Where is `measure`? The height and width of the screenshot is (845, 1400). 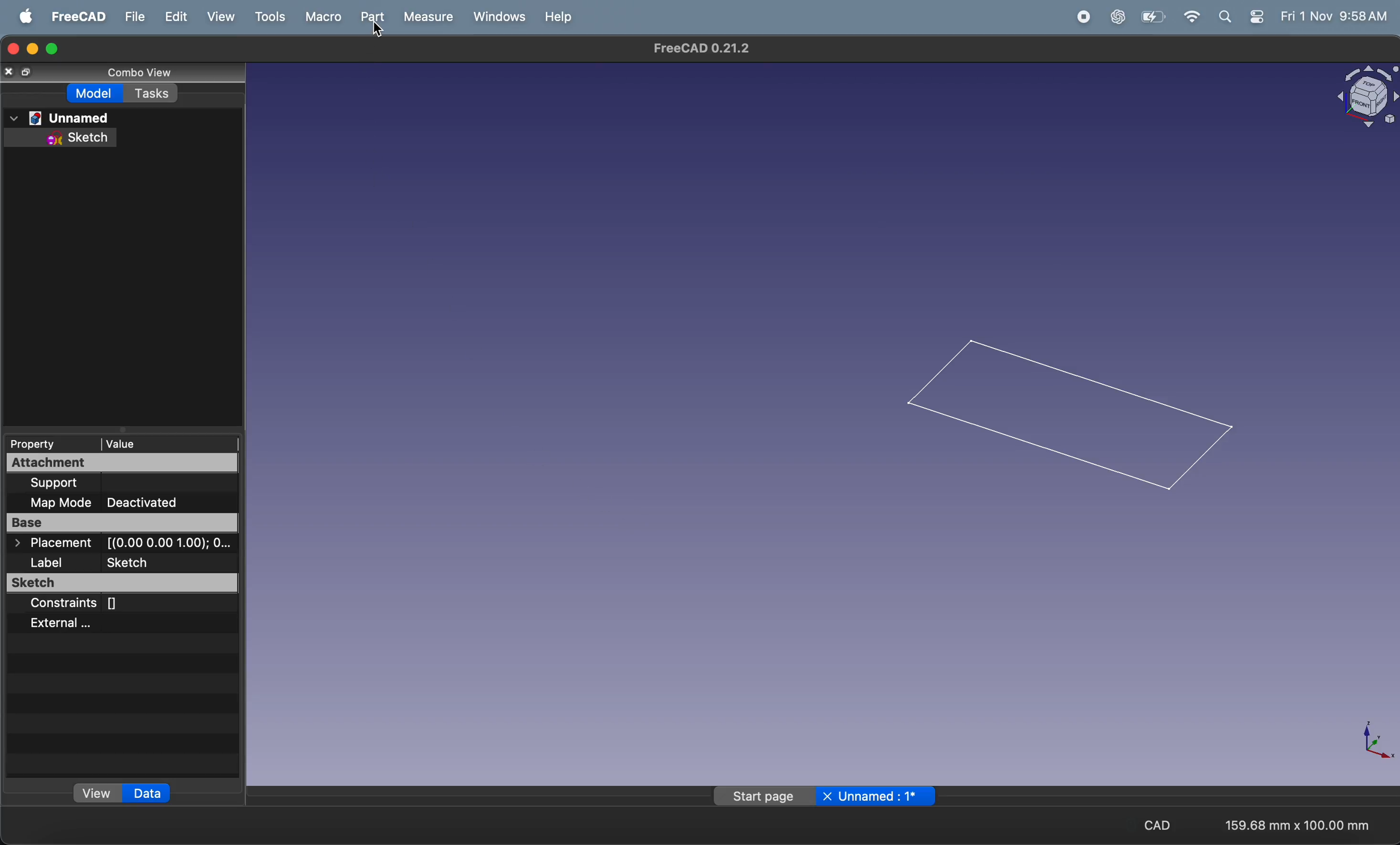
measure is located at coordinates (427, 16).